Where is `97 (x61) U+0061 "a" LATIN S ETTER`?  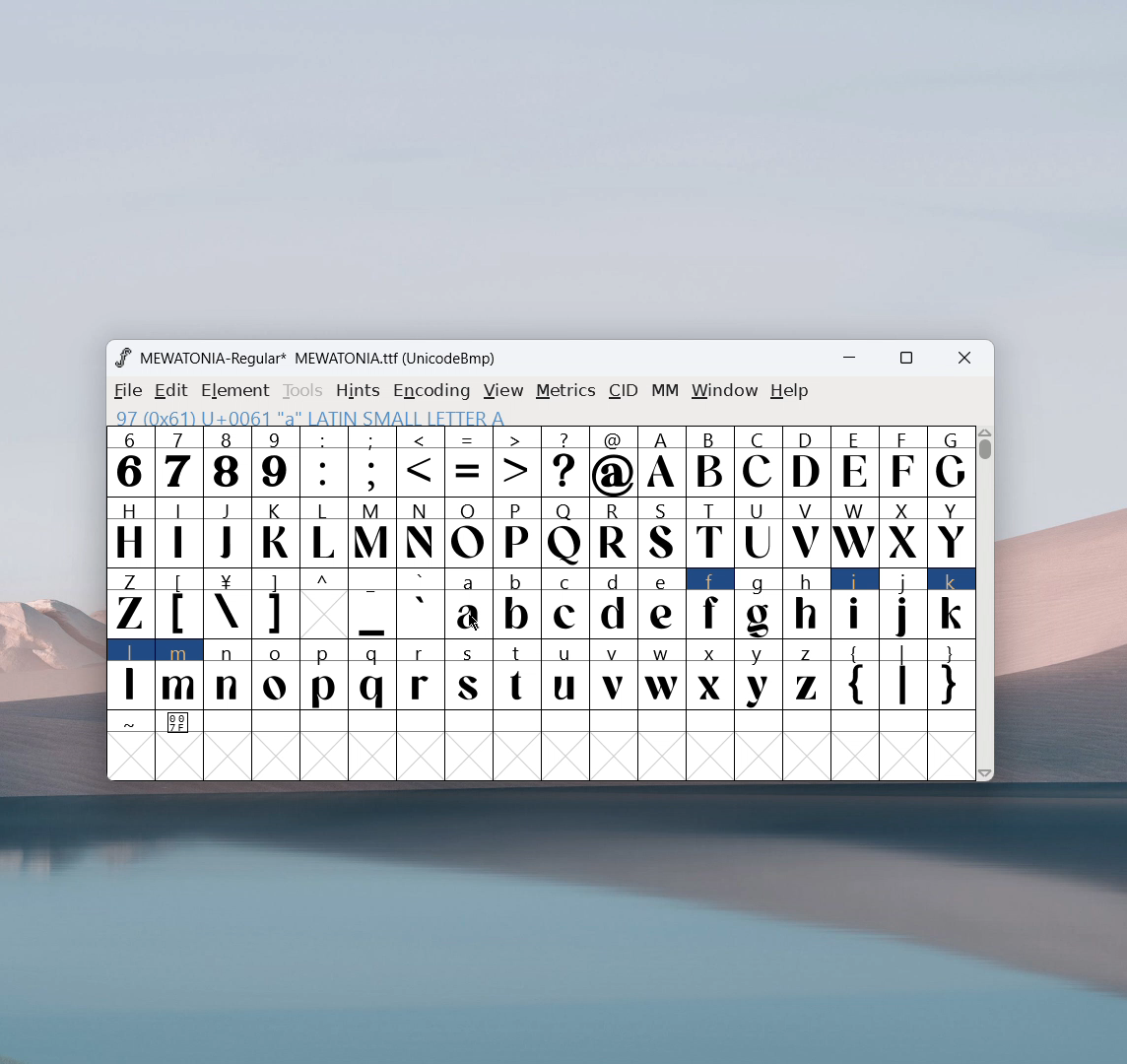
97 (x61) U+0061 "a" LATIN S ETTER is located at coordinates (310, 416).